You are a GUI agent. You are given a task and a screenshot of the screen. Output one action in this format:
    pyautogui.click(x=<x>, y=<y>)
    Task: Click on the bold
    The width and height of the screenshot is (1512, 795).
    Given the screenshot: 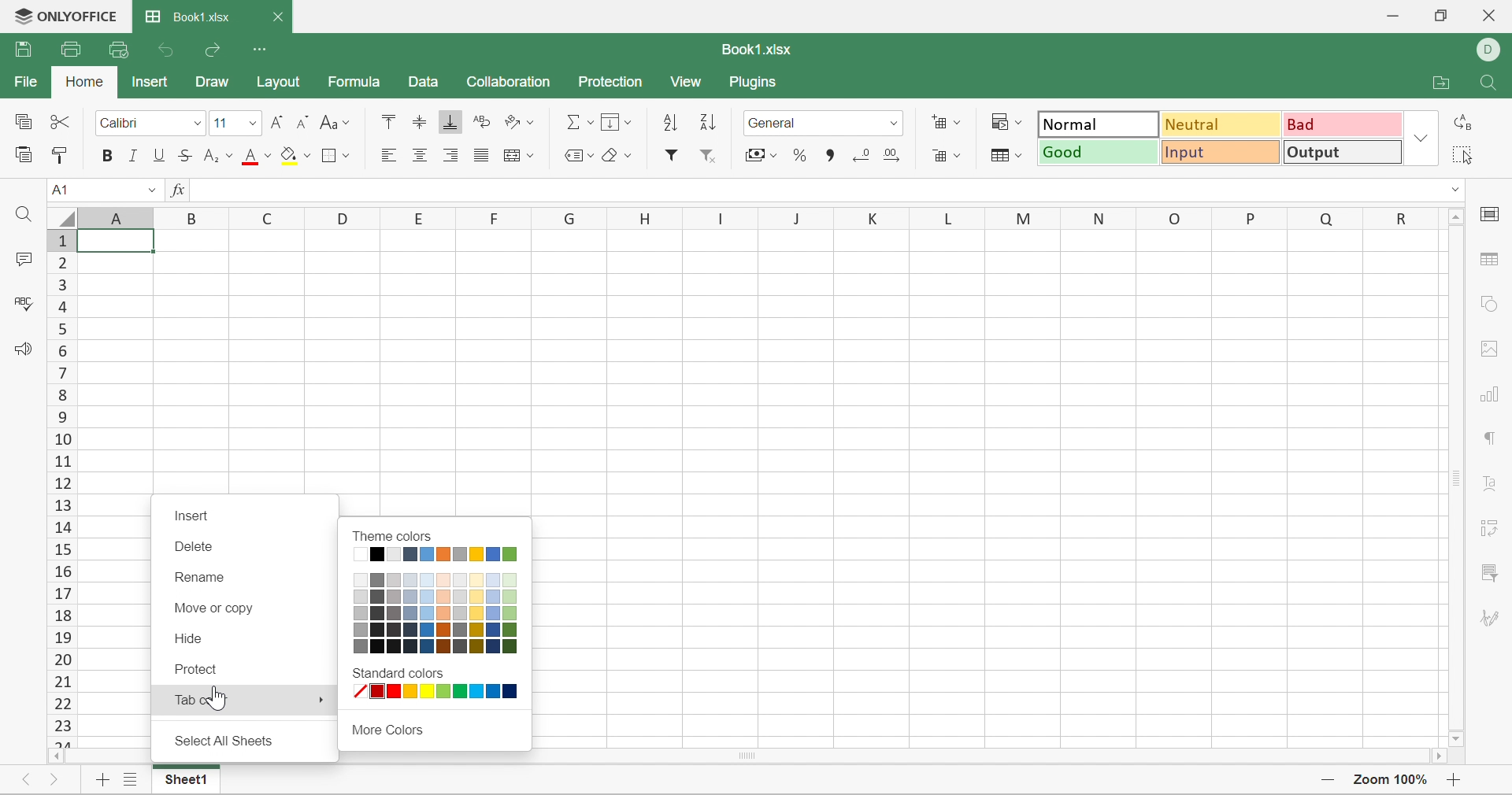 What is the action you would take?
    pyautogui.click(x=109, y=157)
    